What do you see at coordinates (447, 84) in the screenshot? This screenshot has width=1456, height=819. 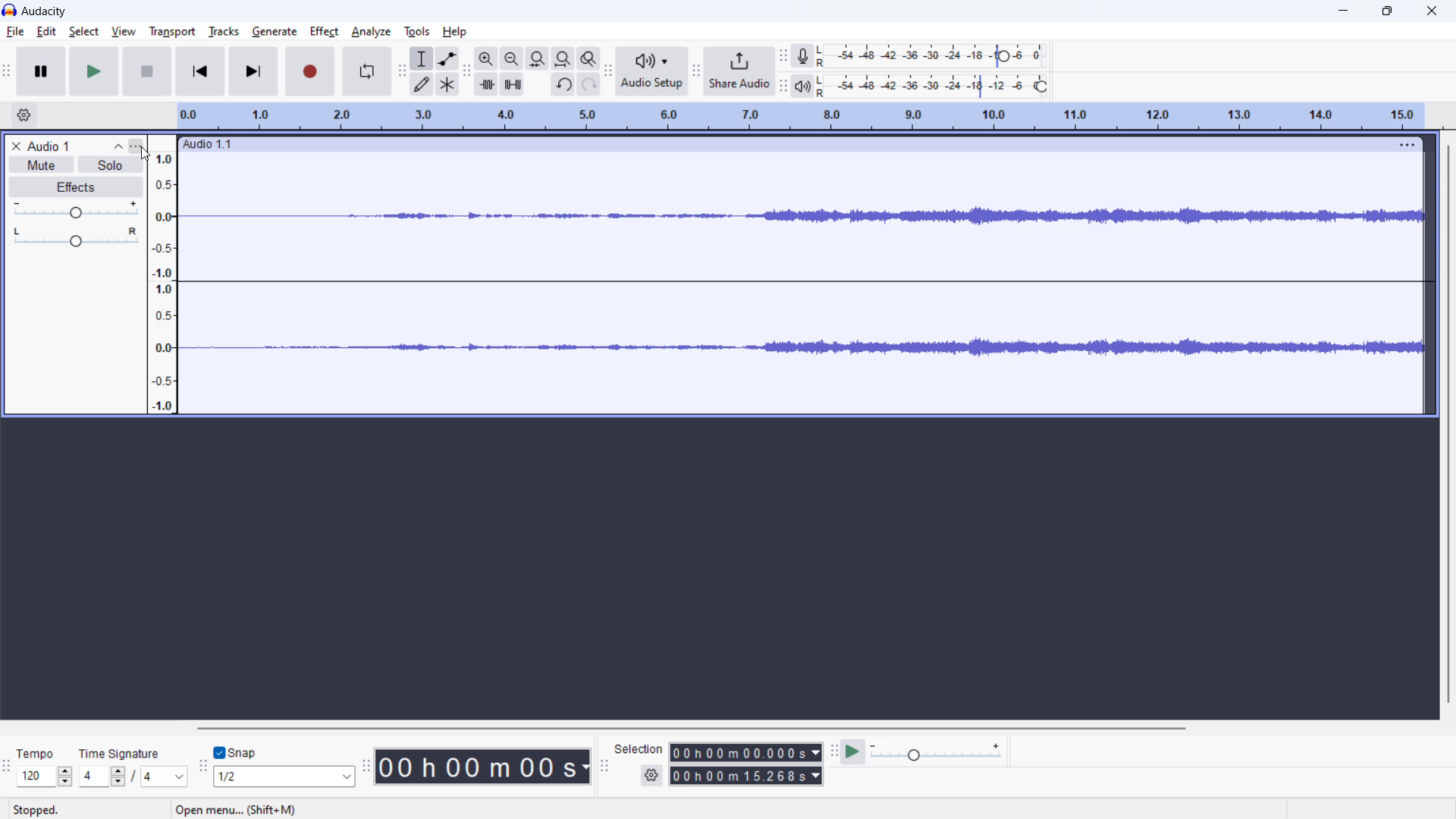 I see `multi tool` at bounding box center [447, 84].